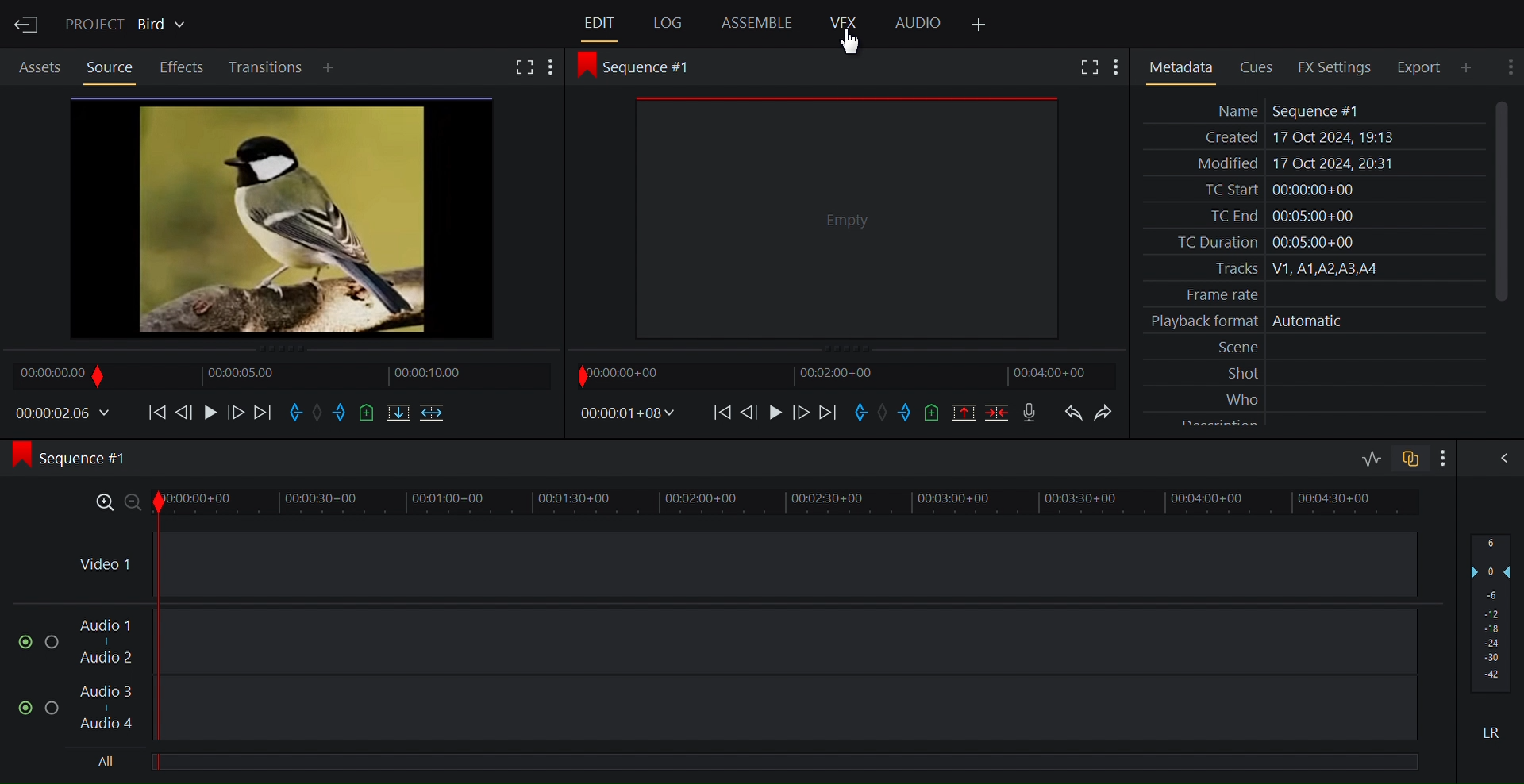 This screenshot has height=784, width=1524. What do you see at coordinates (185, 412) in the screenshot?
I see `Nudge one frame back` at bounding box center [185, 412].